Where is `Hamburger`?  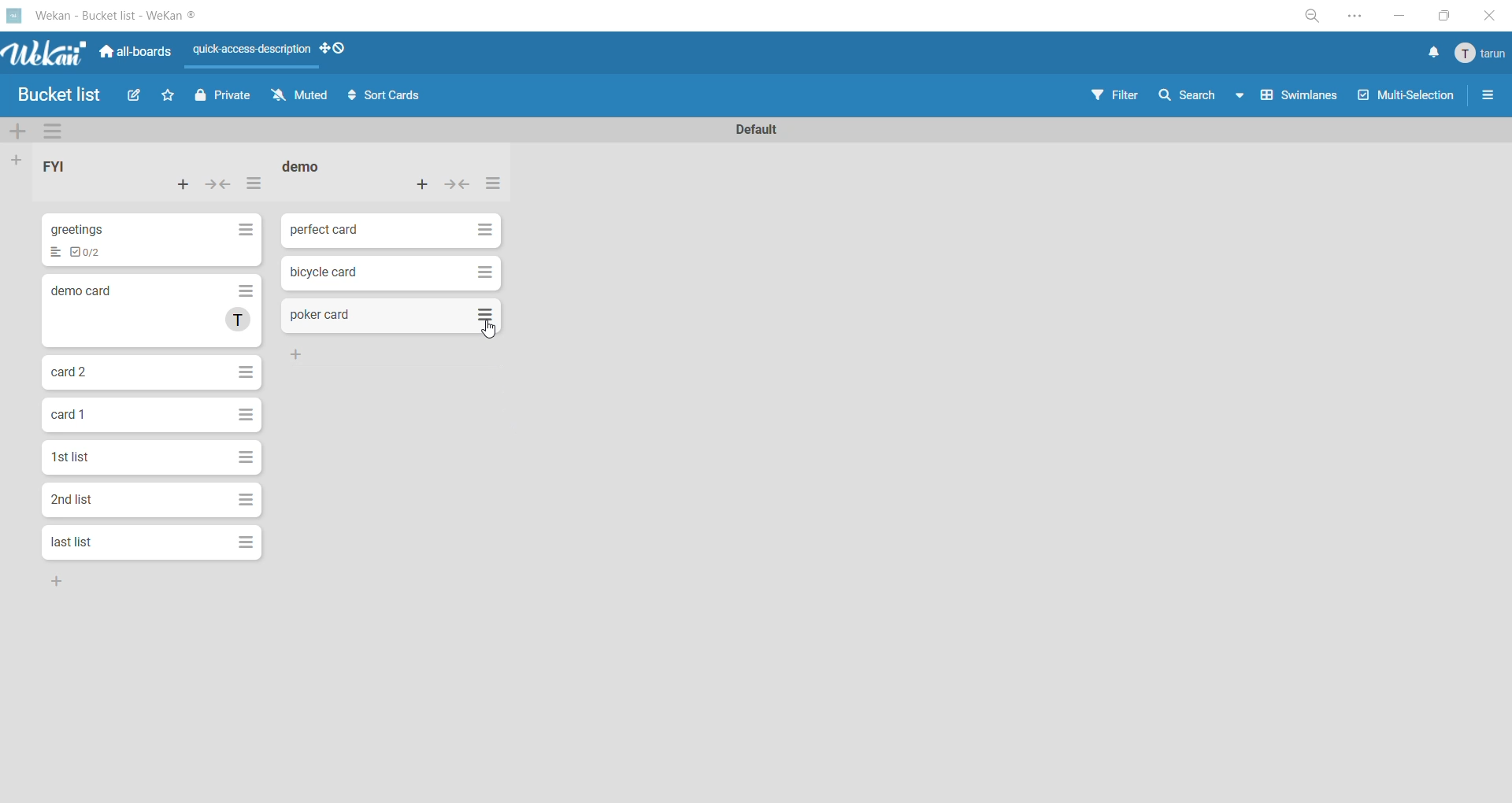 Hamburger is located at coordinates (248, 457).